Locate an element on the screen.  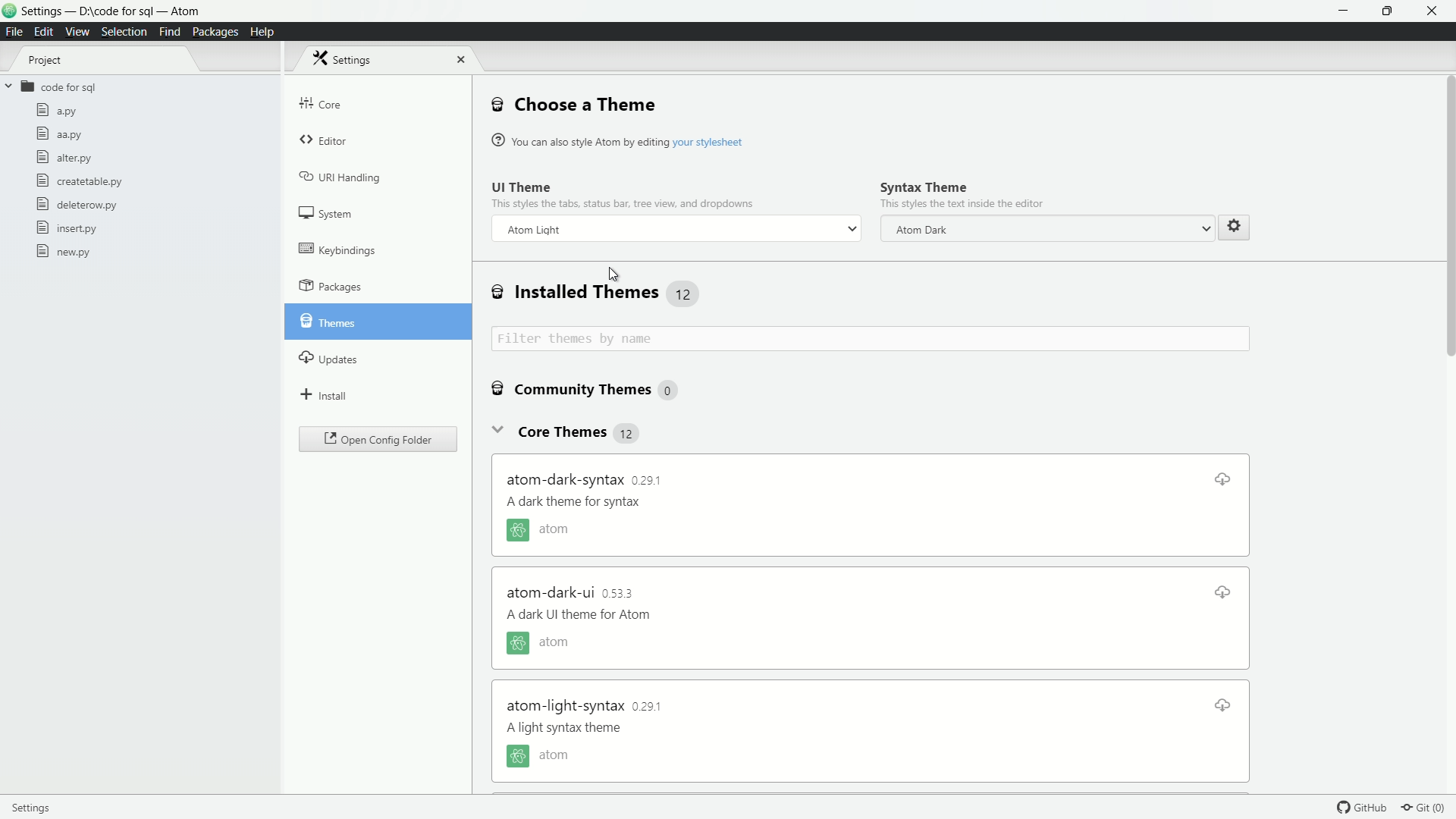
full screen is located at coordinates (1392, 11).